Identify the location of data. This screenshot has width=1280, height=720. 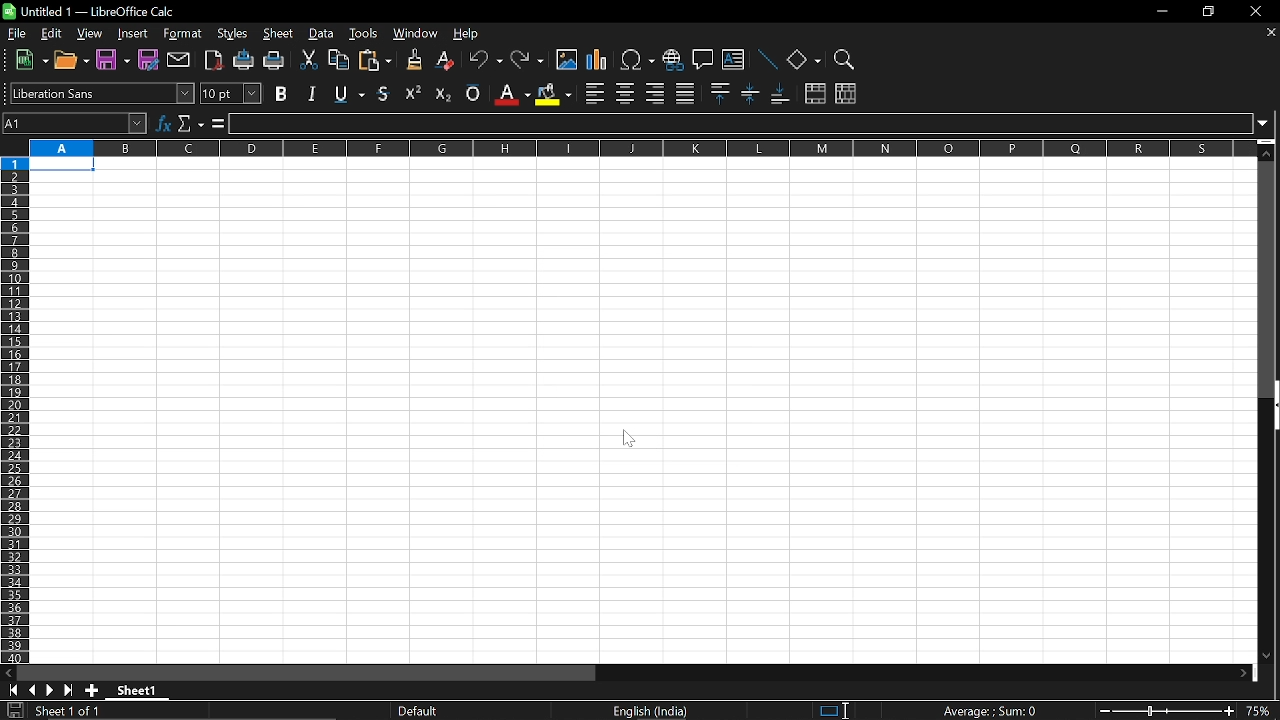
(322, 34).